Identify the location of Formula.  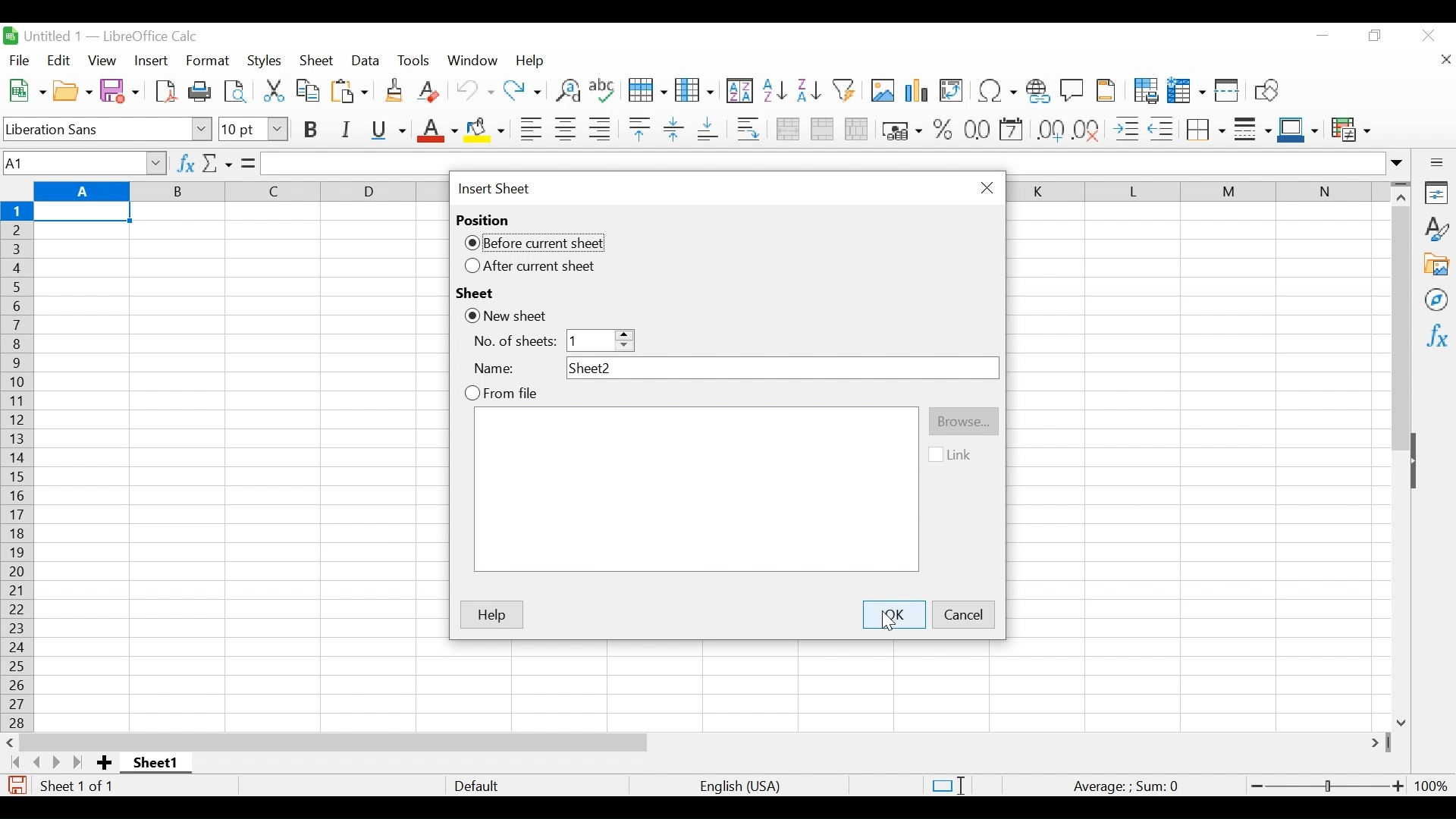
(248, 162).